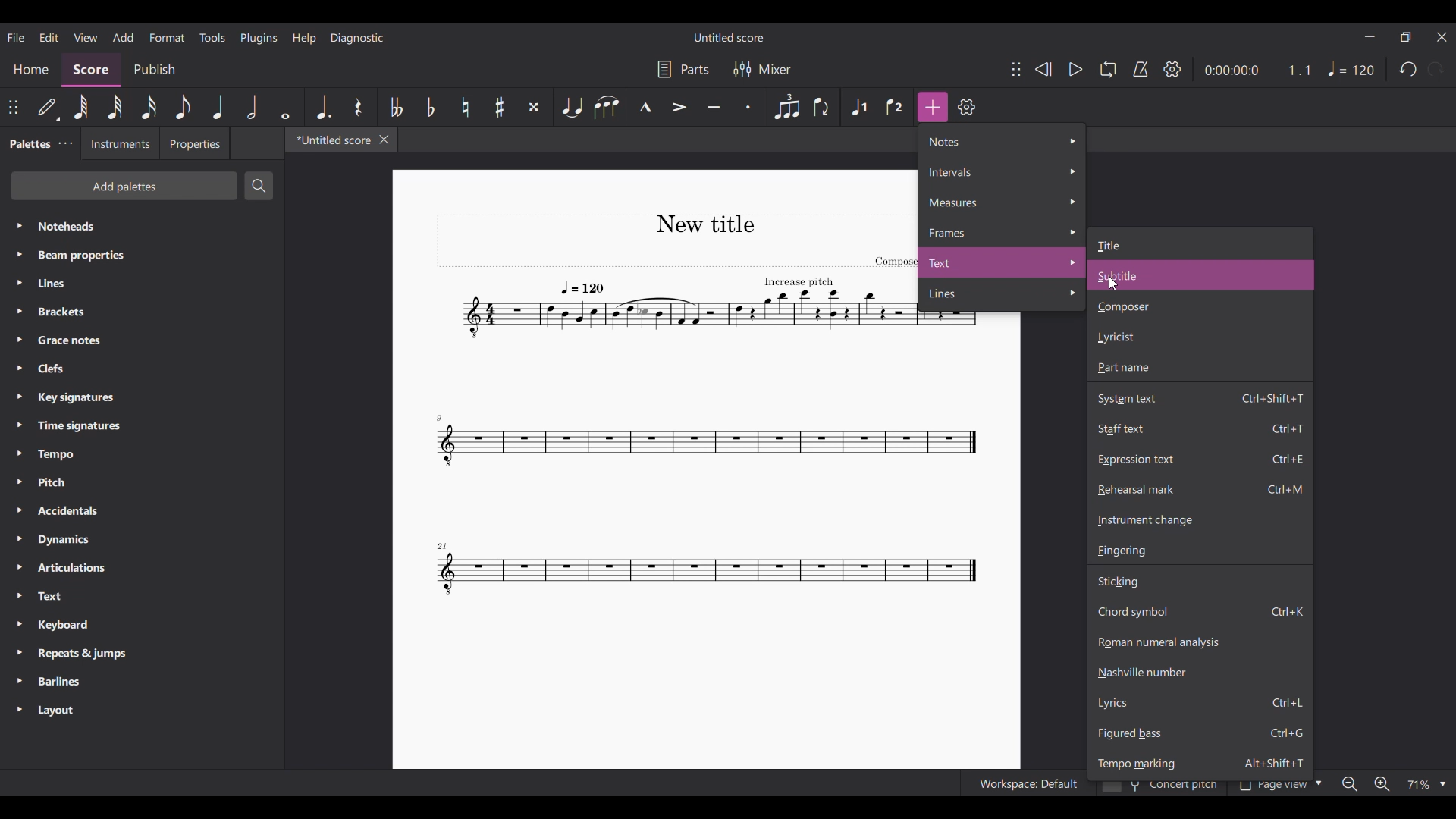  Describe the element at coordinates (115, 108) in the screenshot. I see `32nd note` at that location.